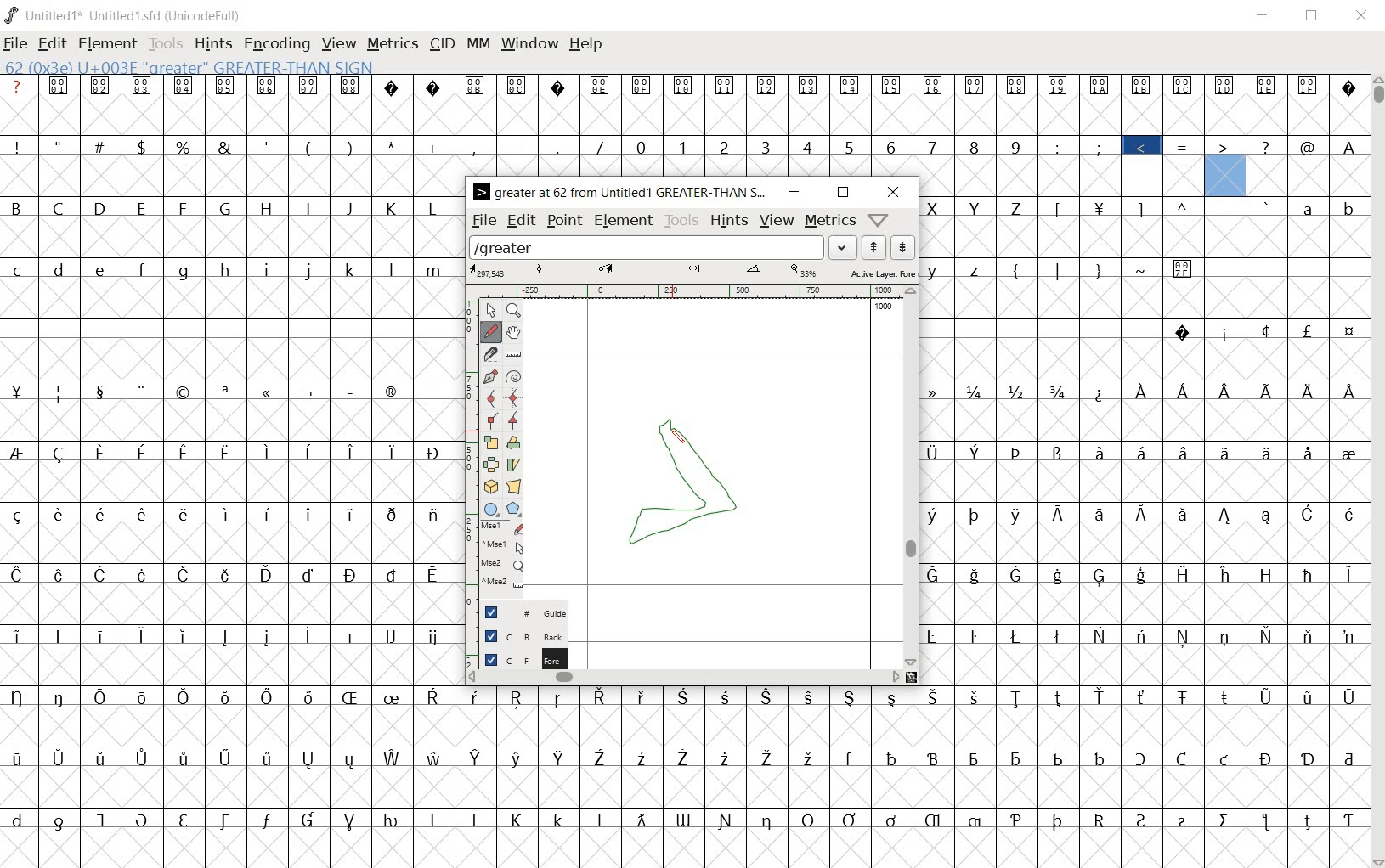 This screenshot has width=1385, height=868. Describe the element at coordinates (817, 125) in the screenshot. I see `glyph characters` at that location.